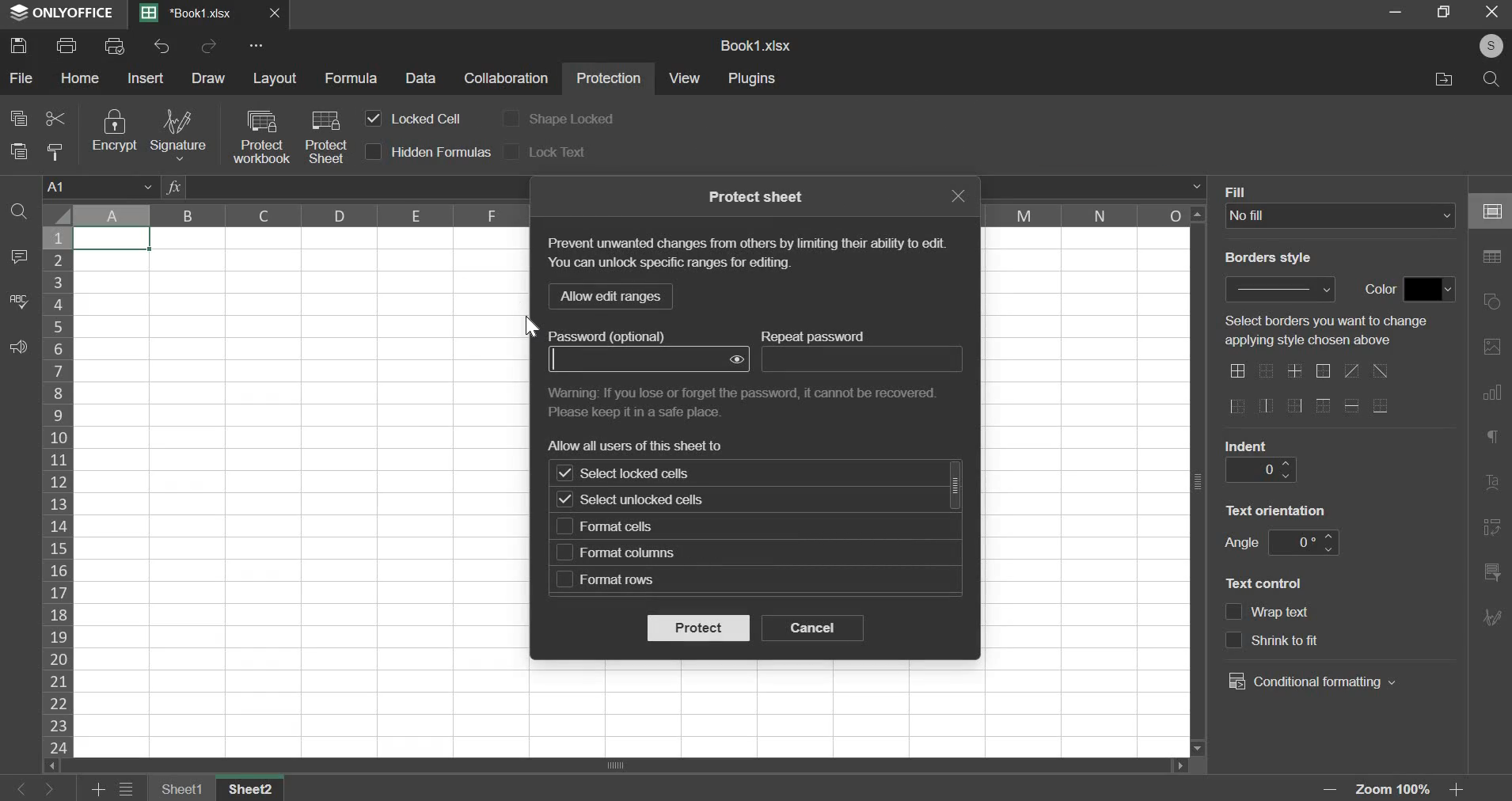  I want to click on zoom out, so click(1333, 789).